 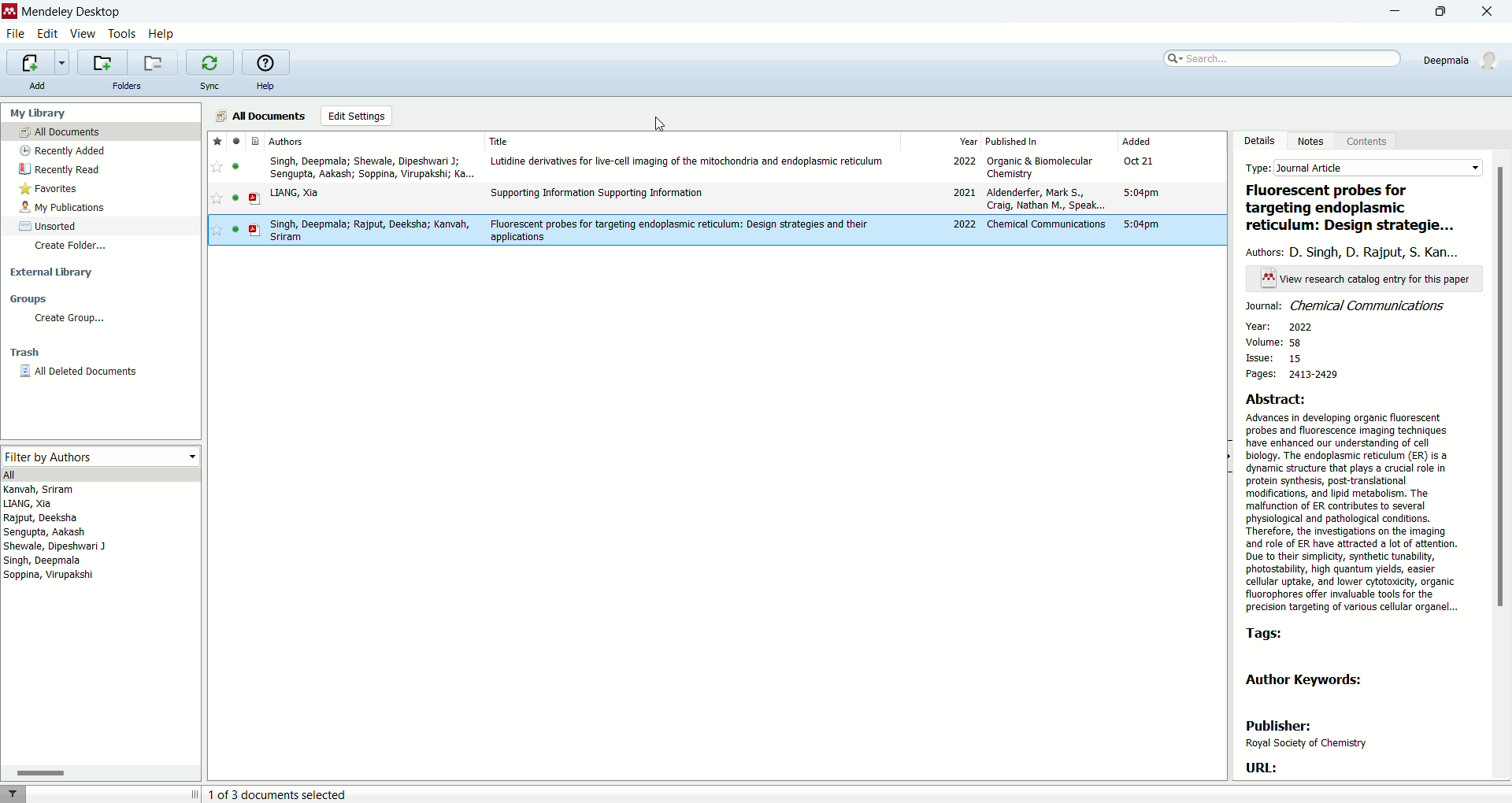 What do you see at coordinates (1141, 193) in the screenshot?
I see `5:04pm` at bounding box center [1141, 193].